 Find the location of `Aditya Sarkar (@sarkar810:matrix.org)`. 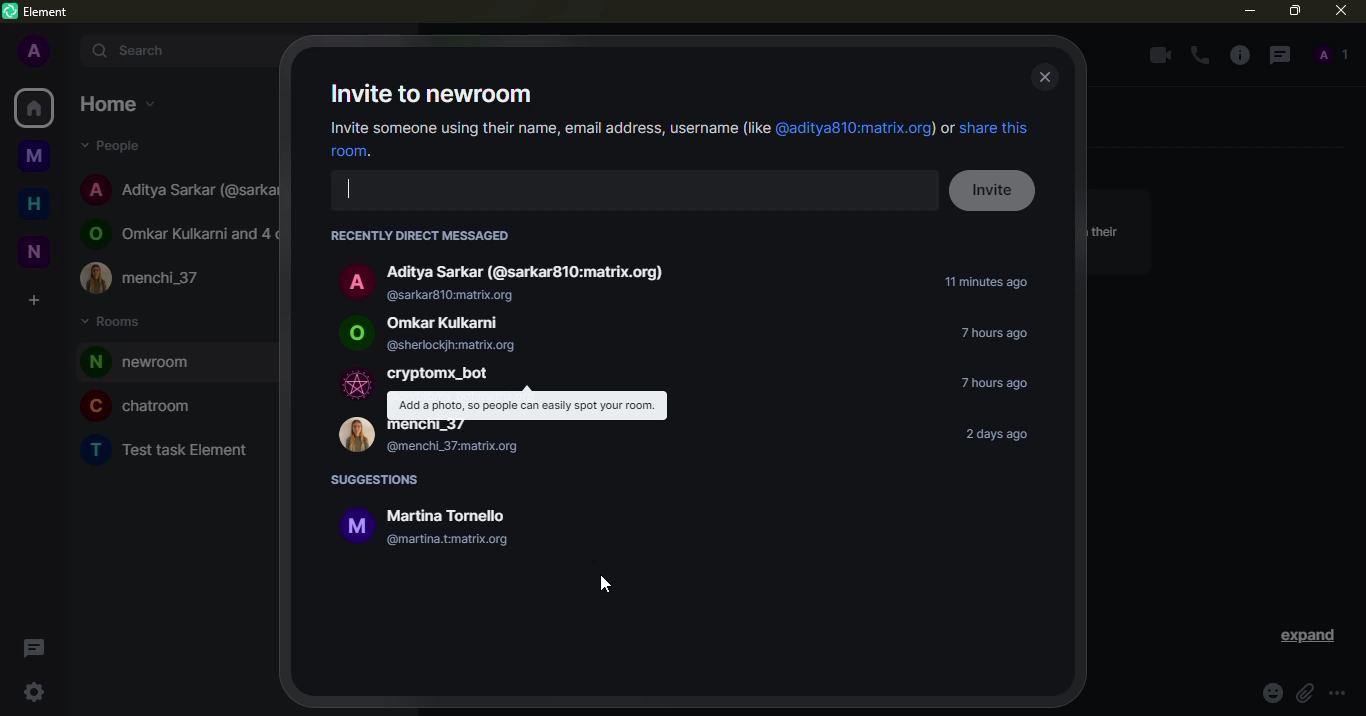

Aditya Sarkar (@sarkar810:matrix.org) is located at coordinates (174, 189).